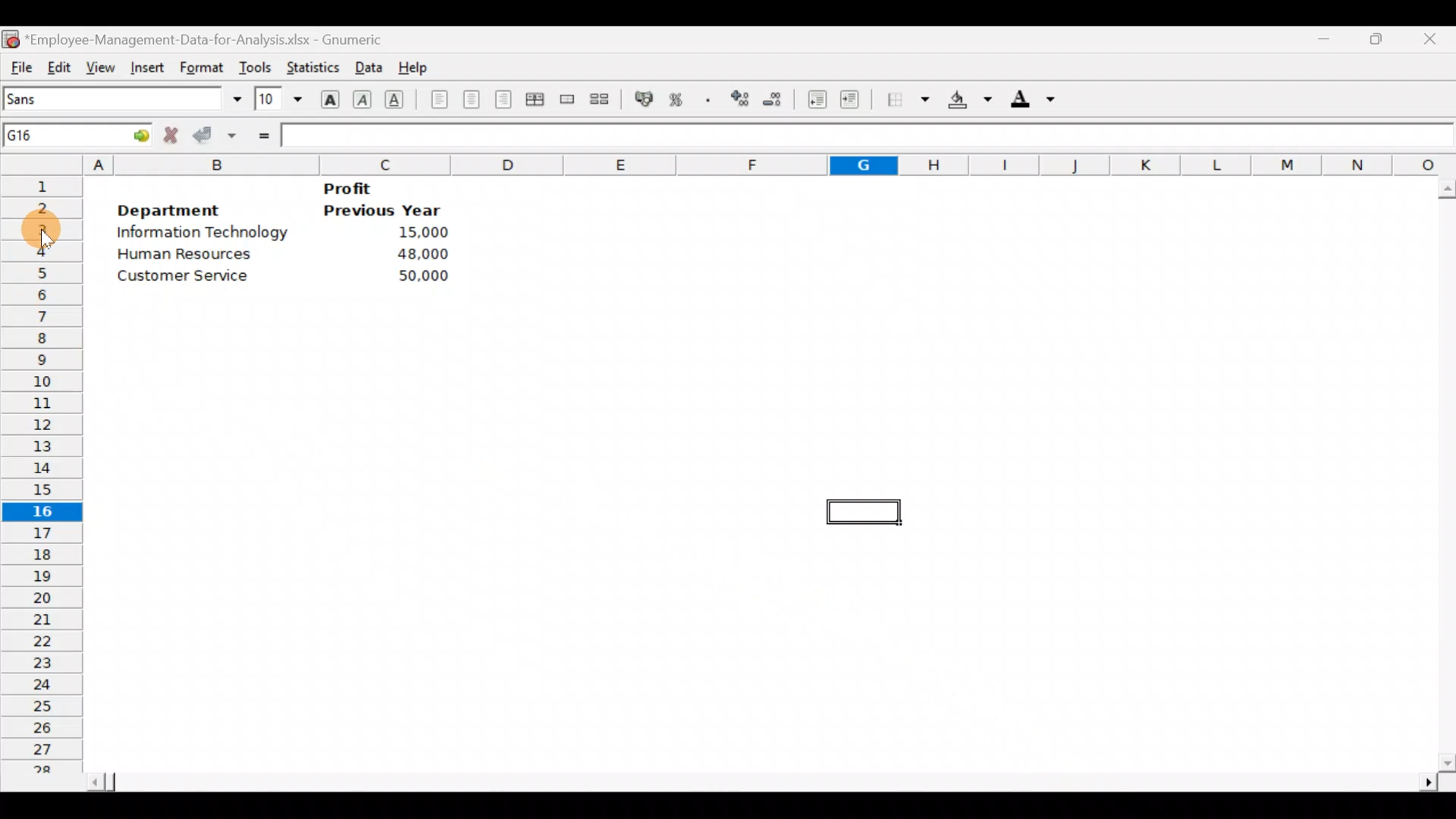 The height and width of the screenshot is (819, 1456). I want to click on Decrease decimals, so click(779, 99).